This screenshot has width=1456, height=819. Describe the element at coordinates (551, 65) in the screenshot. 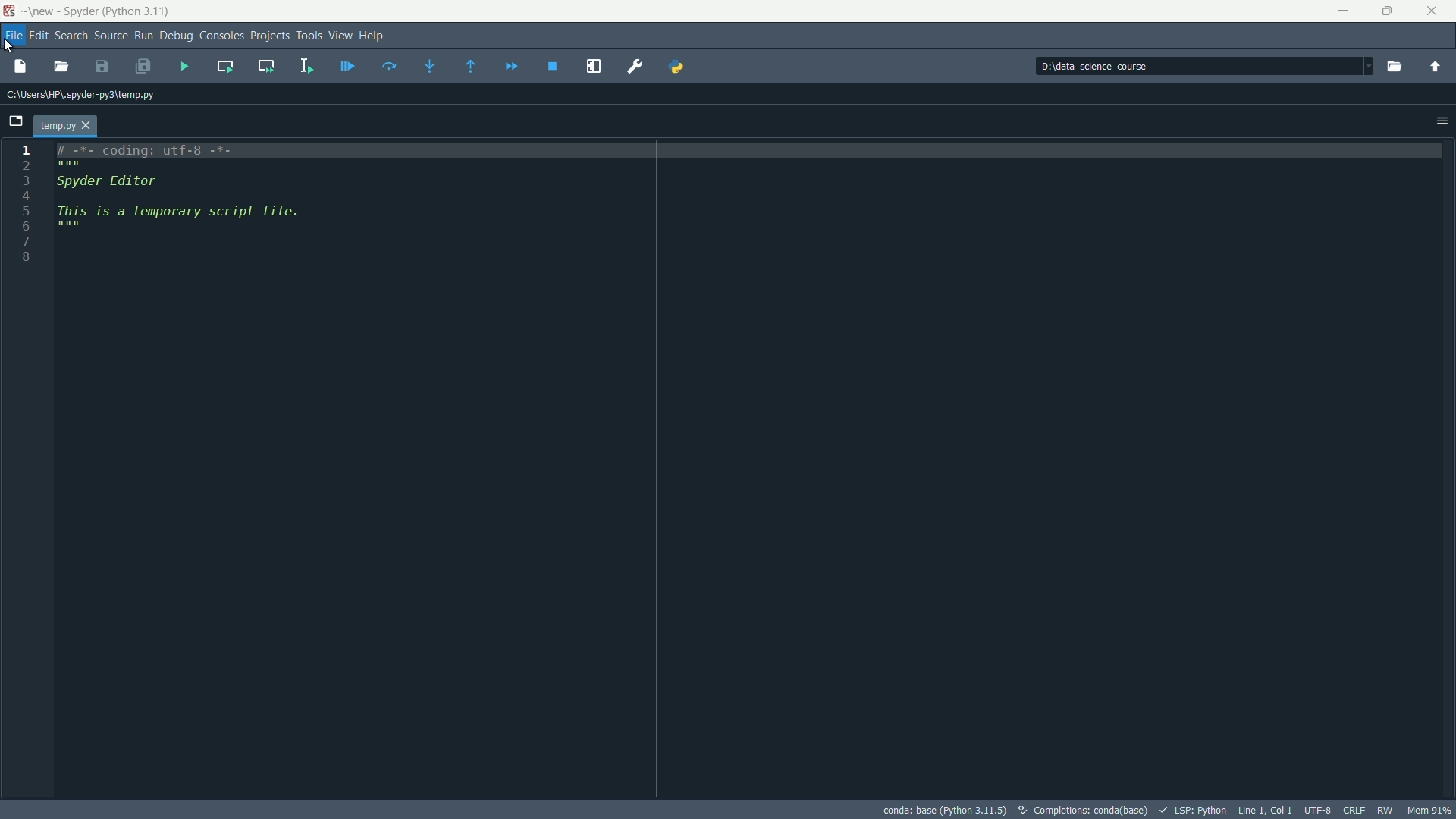

I see `stop debugging` at that location.